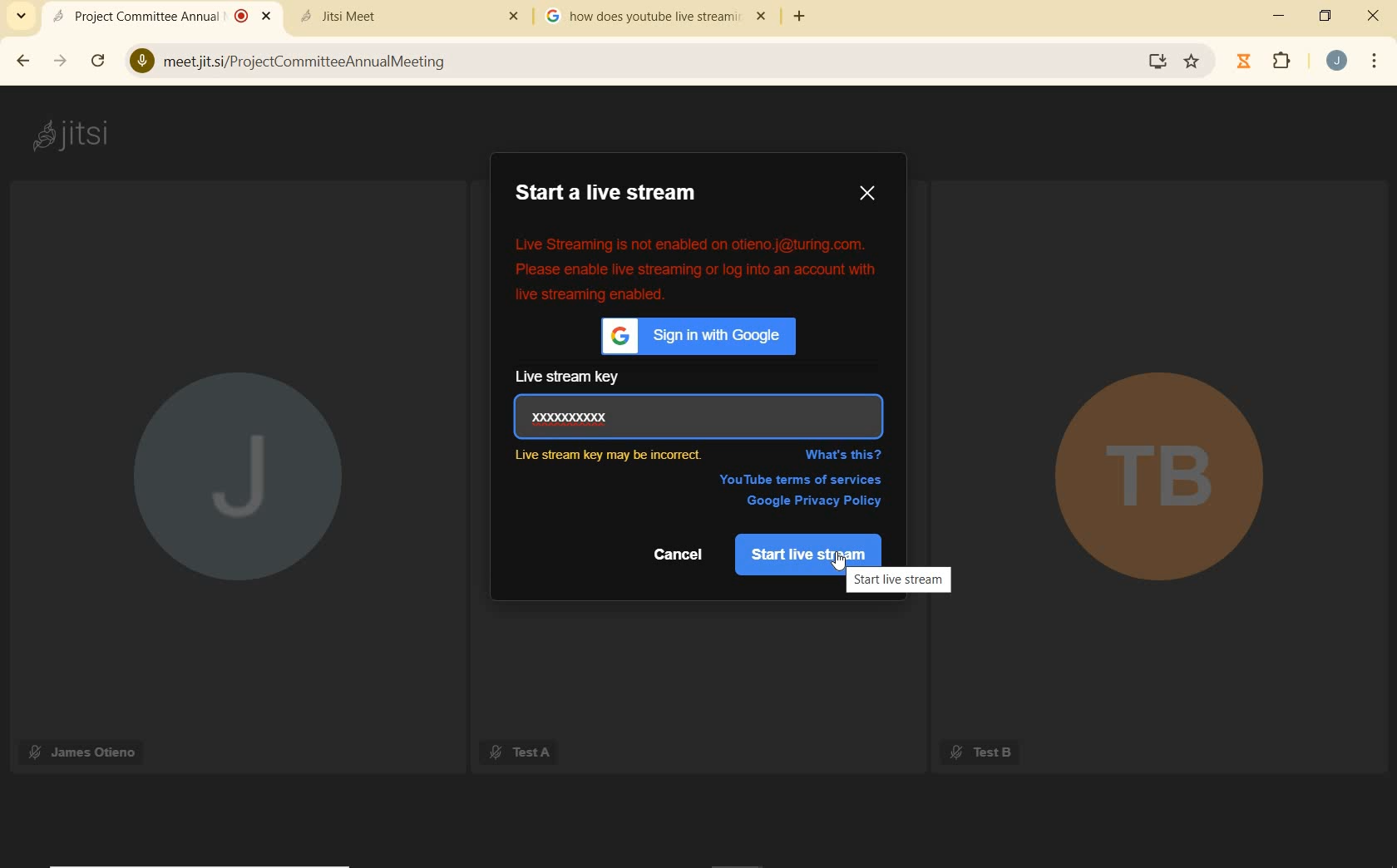 The image size is (1397, 868). What do you see at coordinates (1375, 16) in the screenshot?
I see `close` at bounding box center [1375, 16].